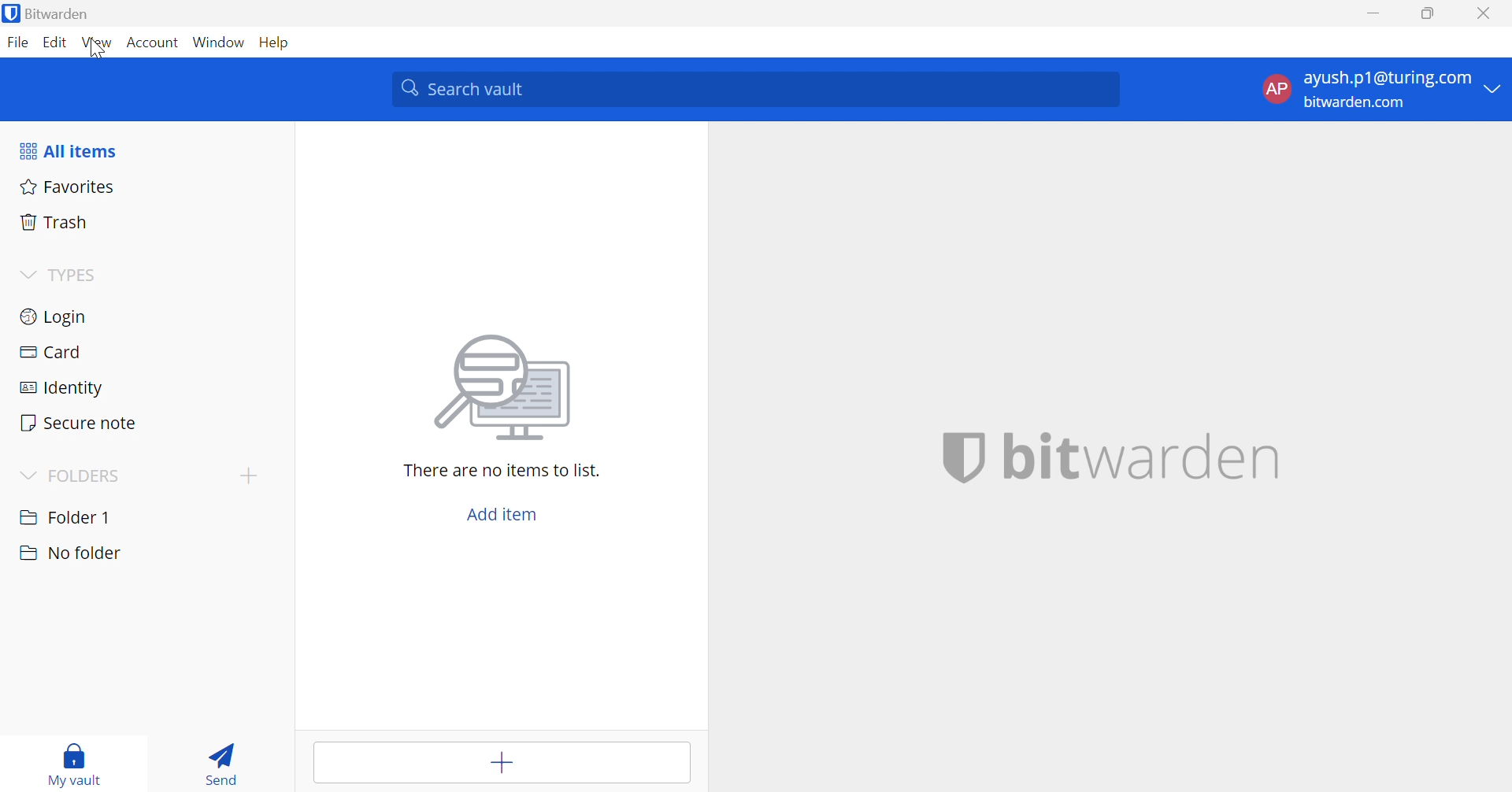 This screenshot has height=792, width=1512. I want to click on Drop Down, so click(28, 272).